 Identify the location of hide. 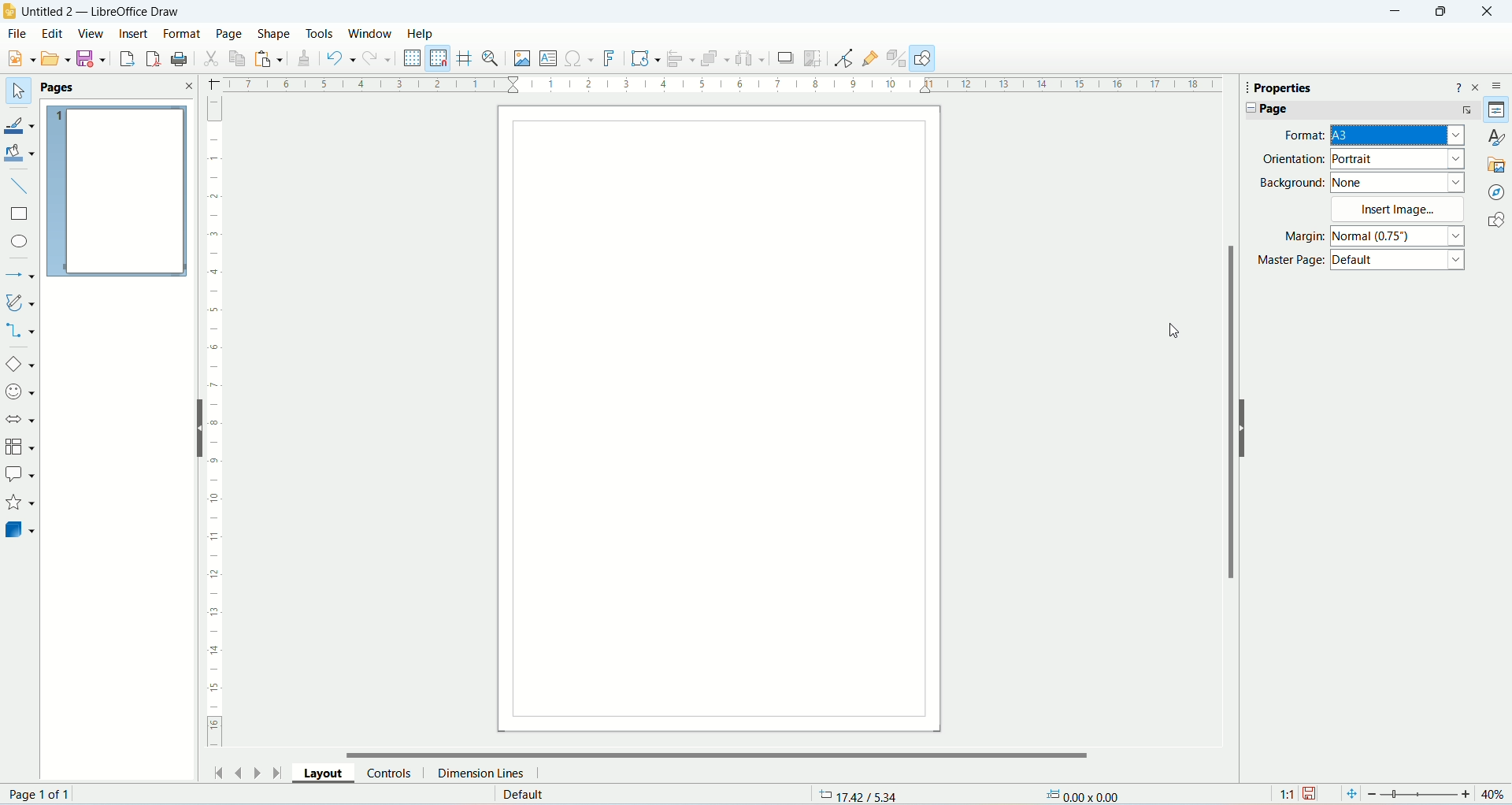
(197, 427).